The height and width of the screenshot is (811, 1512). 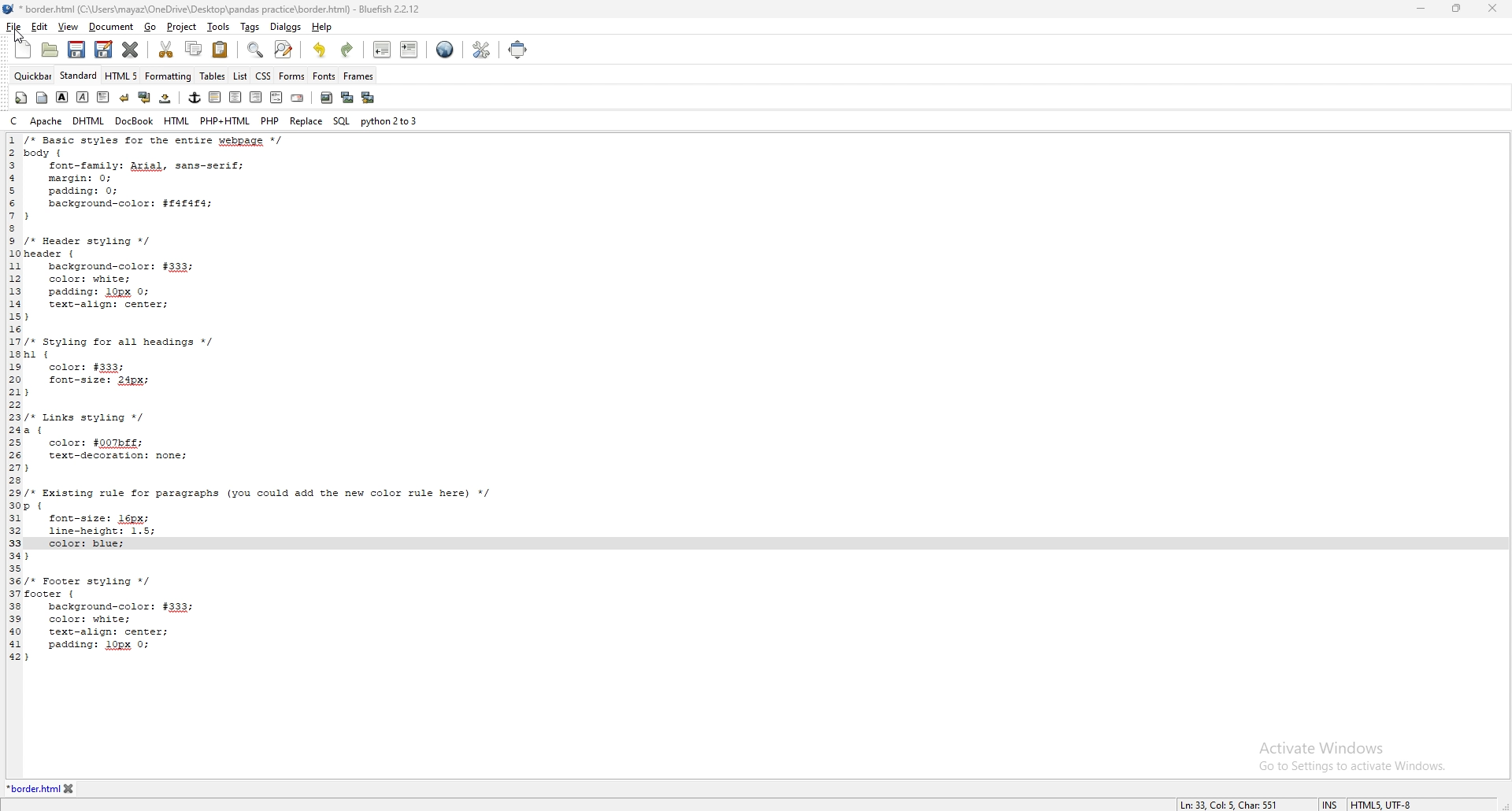 I want to click on quickbar, so click(x=29, y=74).